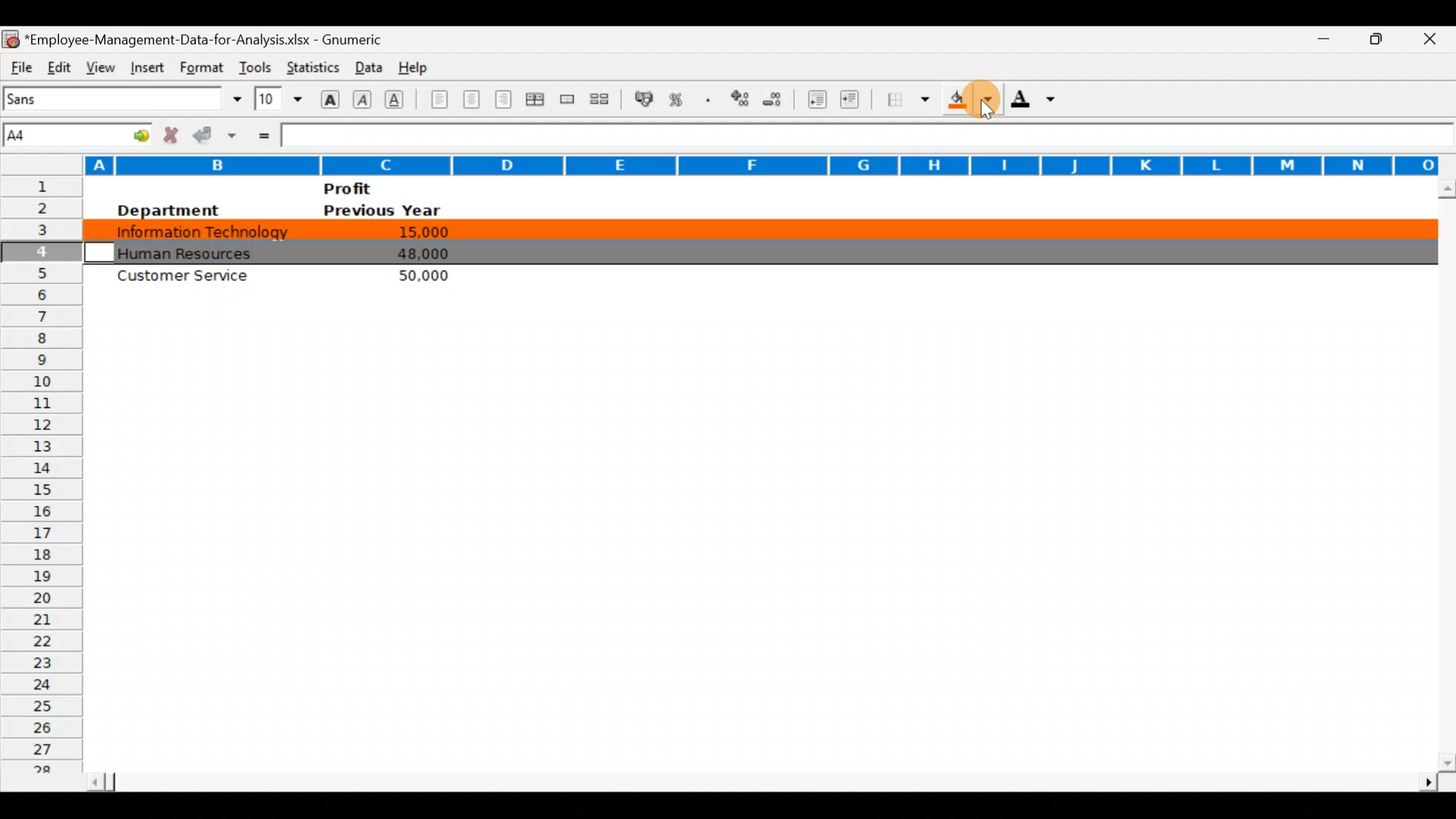  What do you see at coordinates (311, 64) in the screenshot?
I see `Statistics` at bounding box center [311, 64].